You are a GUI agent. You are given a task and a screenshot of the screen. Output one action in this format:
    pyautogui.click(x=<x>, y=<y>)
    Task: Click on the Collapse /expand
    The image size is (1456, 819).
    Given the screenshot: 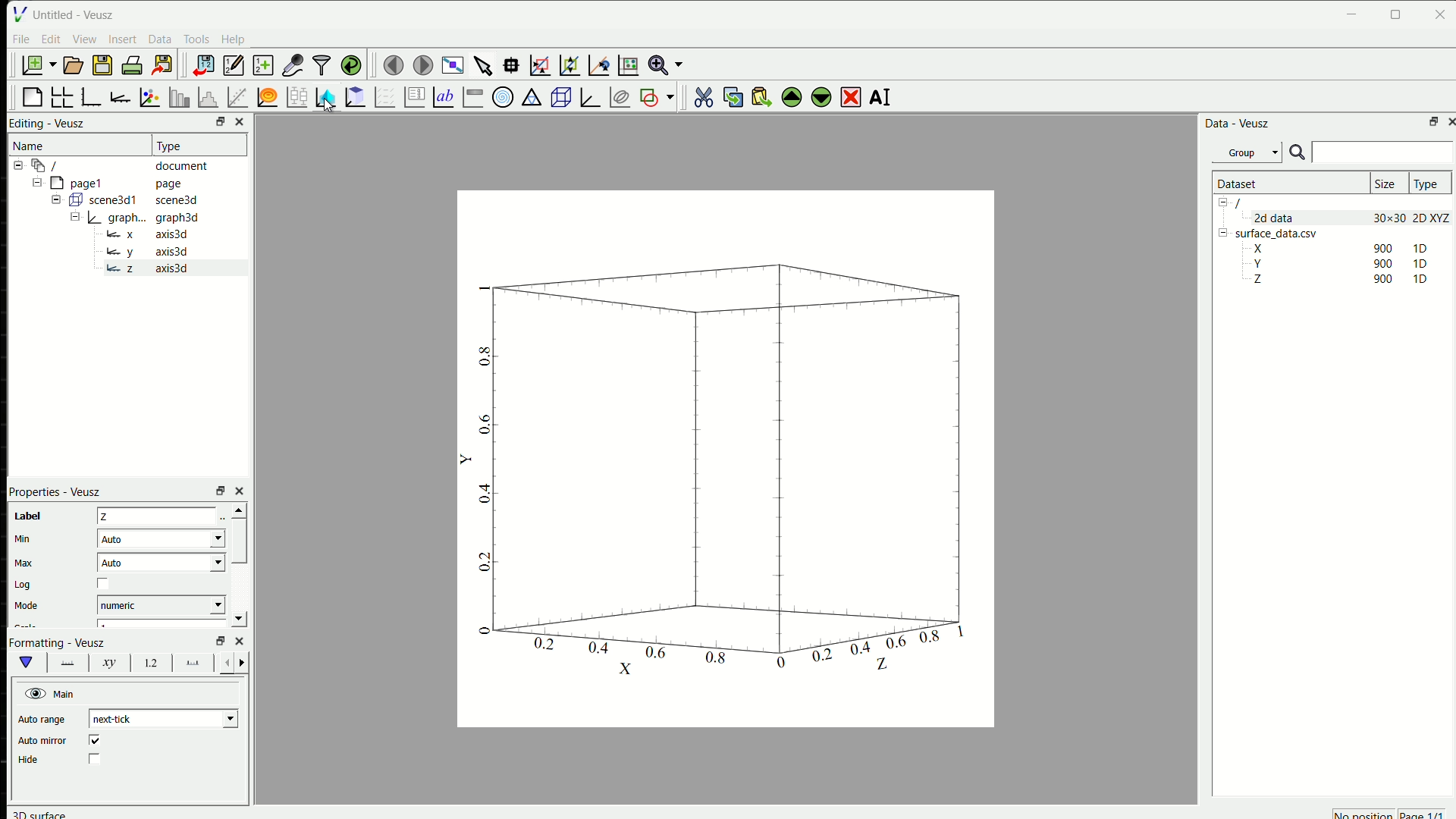 What is the action you would take?
    pyautogui.click(x=1225, y=234)
    